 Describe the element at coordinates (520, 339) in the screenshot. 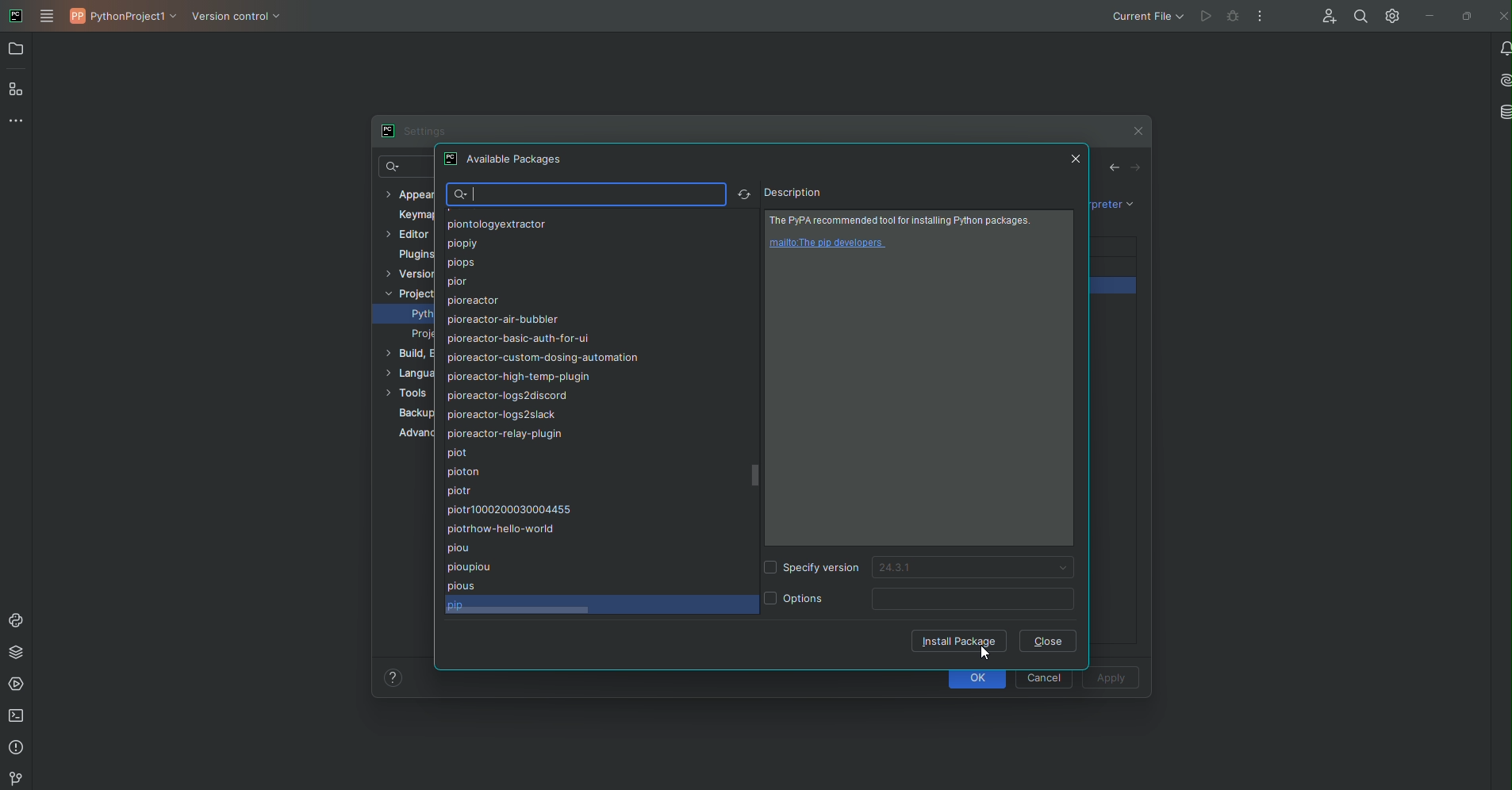

I see `pioreactor-basic-auth-for-ui` at that location.